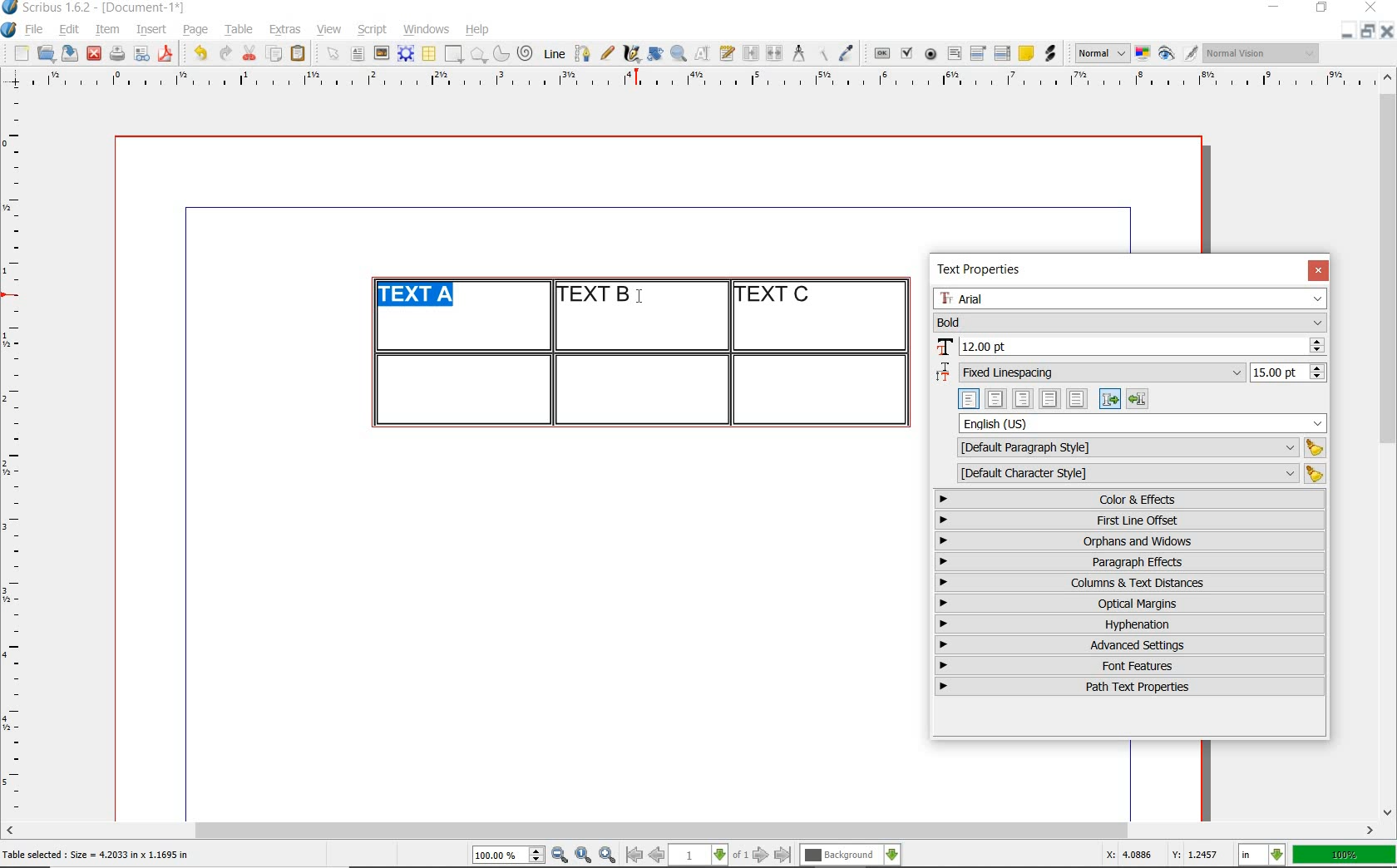 Image resolution: width=1397 pixels, height=868 pixels. I want to click on preview mode, so click(1178, 54).